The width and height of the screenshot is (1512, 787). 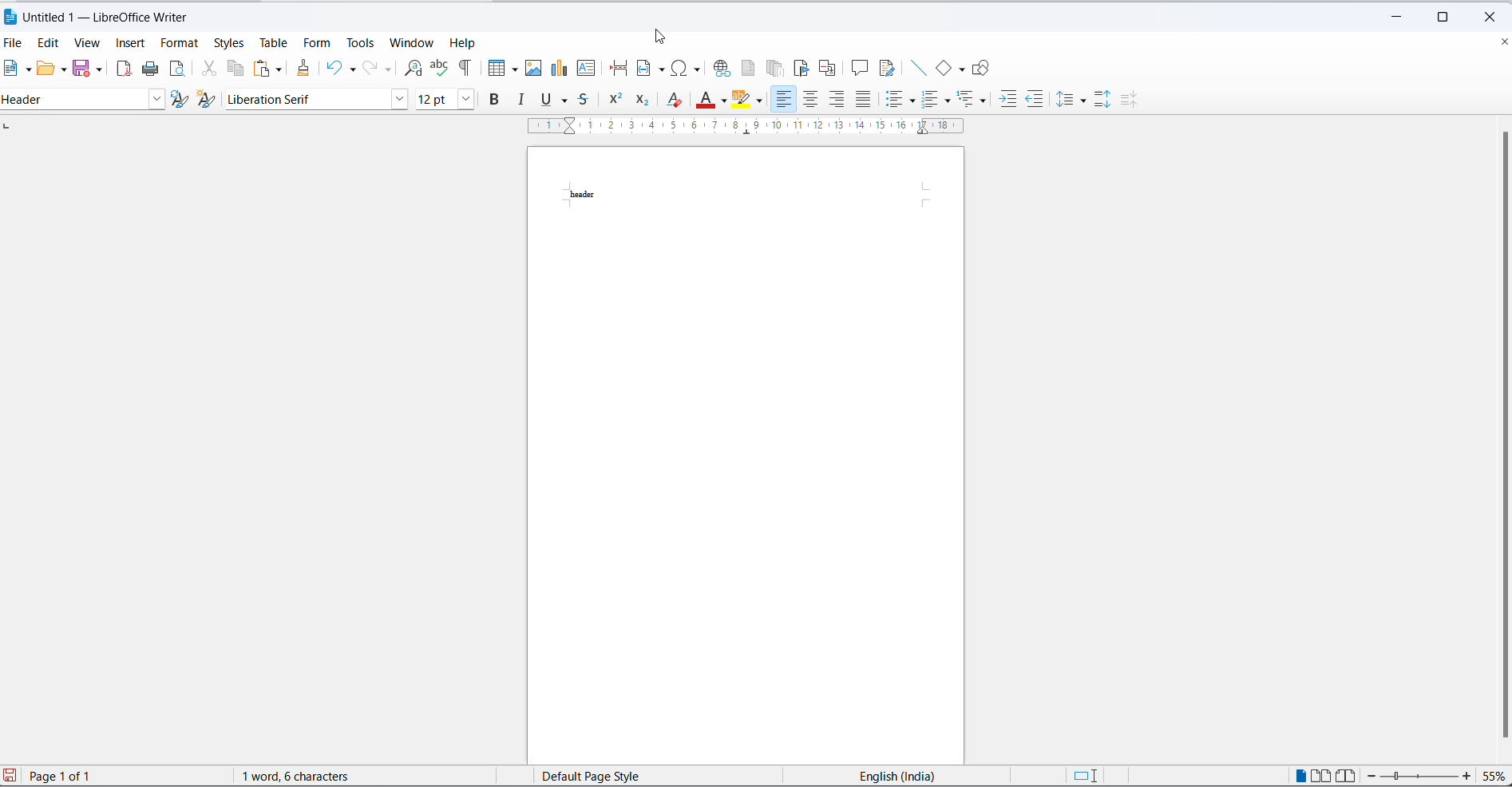 What do you see at coordinates (1495, 15) in the screenshot?
I see `close` at bounding box center [1495, 15].